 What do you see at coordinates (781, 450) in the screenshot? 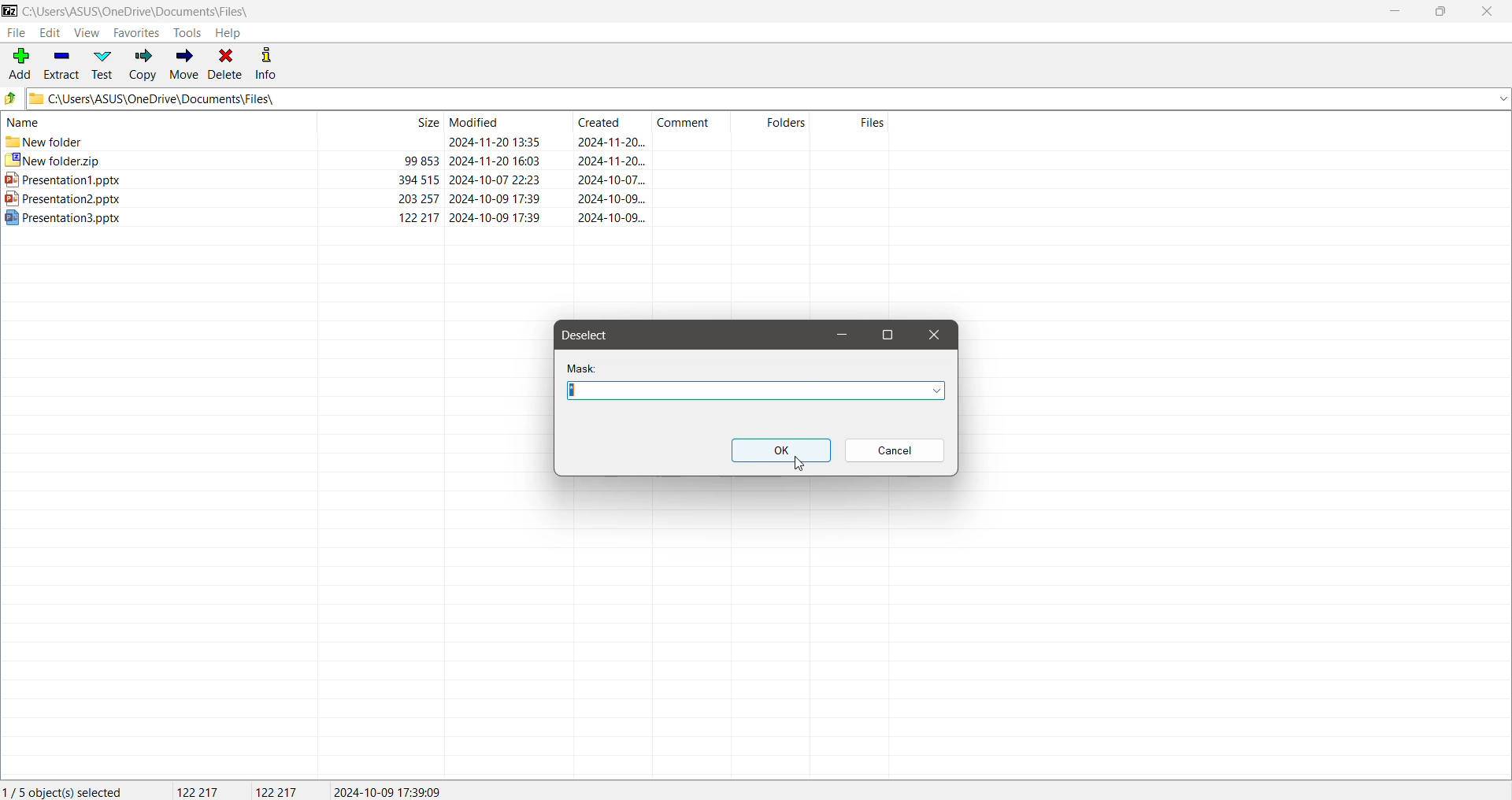
I see `Click OK to confirm` at bounding box center [781, 450].